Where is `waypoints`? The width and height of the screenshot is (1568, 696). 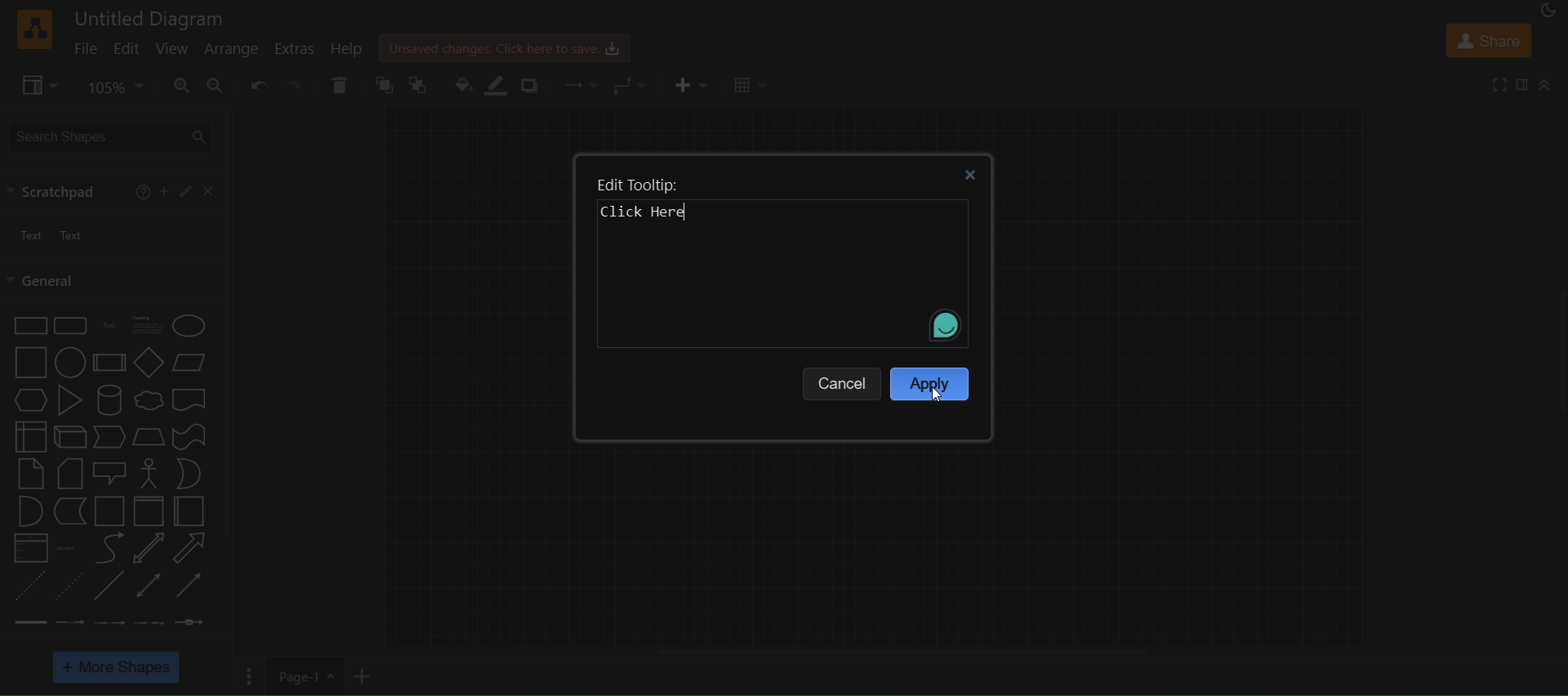 waypoints is located at coordinates (632, 86).